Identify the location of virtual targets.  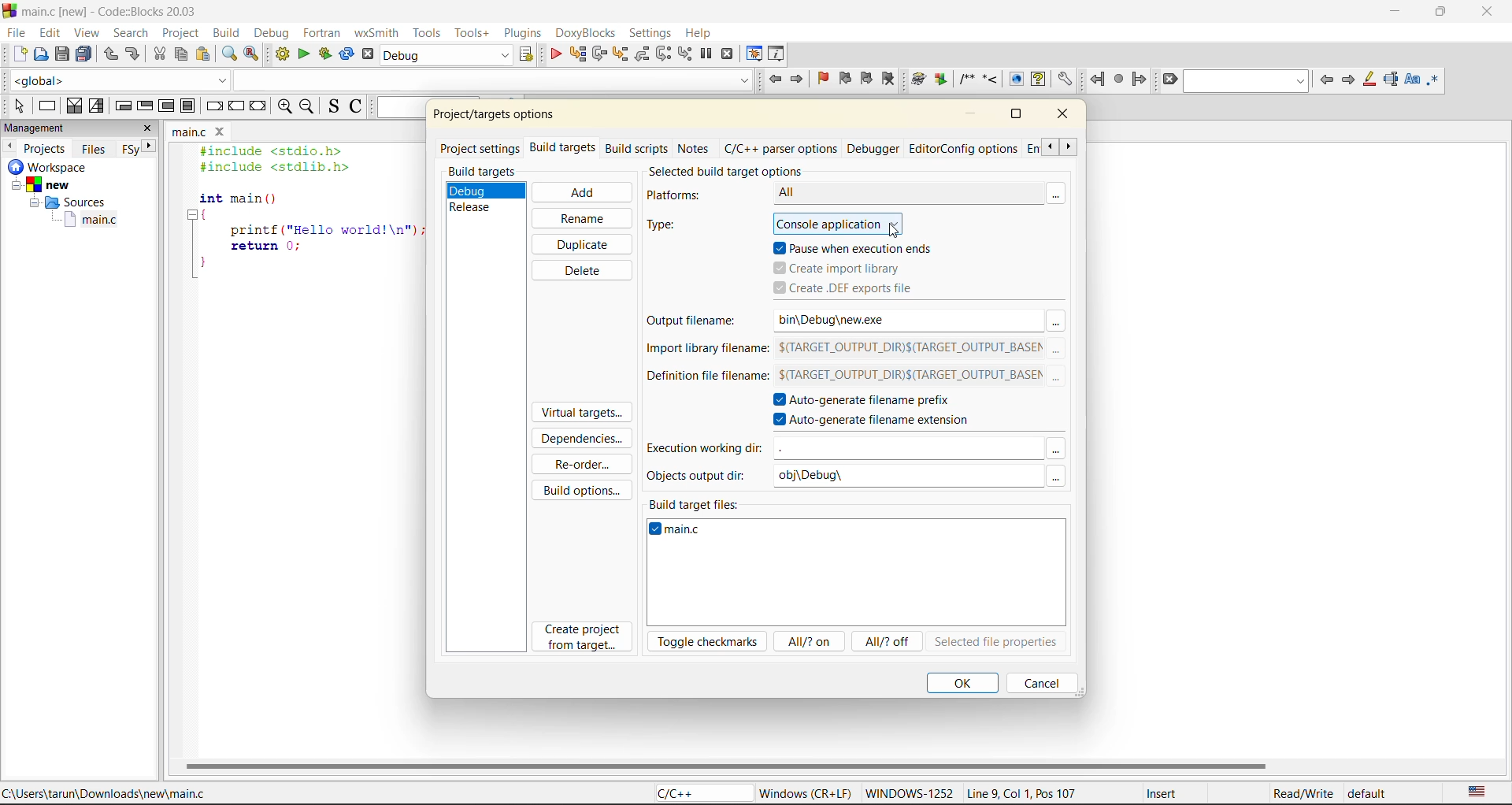
(581, 414).